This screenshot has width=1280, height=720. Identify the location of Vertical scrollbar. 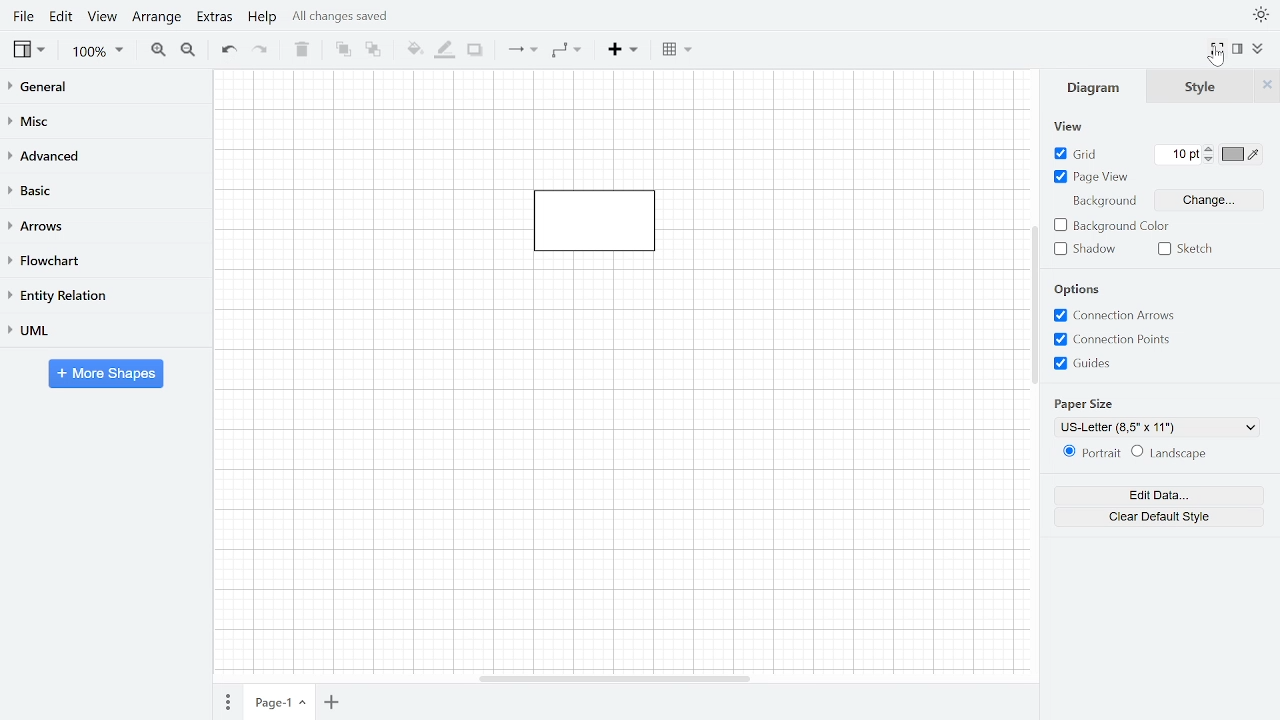
(1035, 305).